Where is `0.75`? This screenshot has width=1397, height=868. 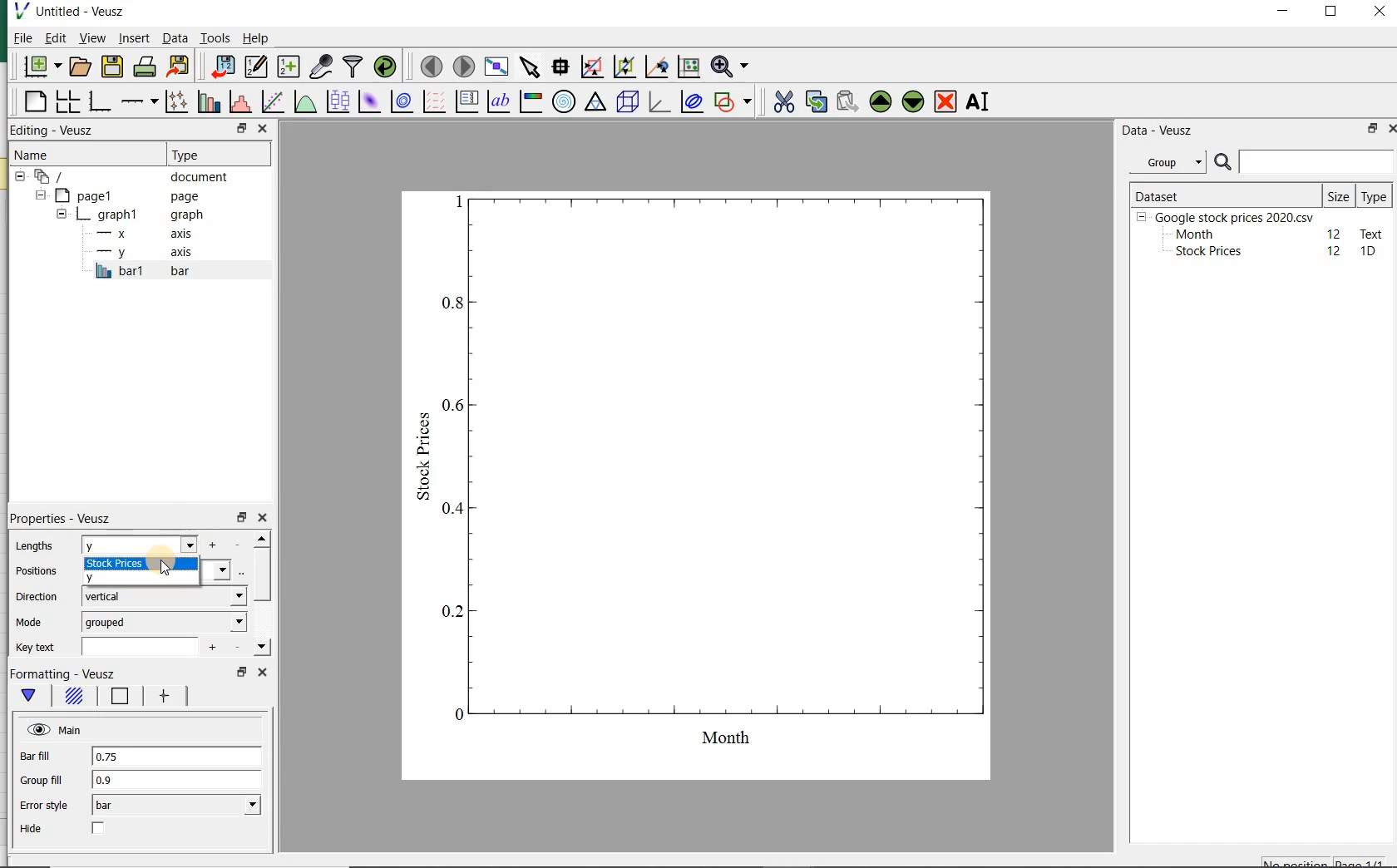
0.75 is located at coordinates (178, 757).